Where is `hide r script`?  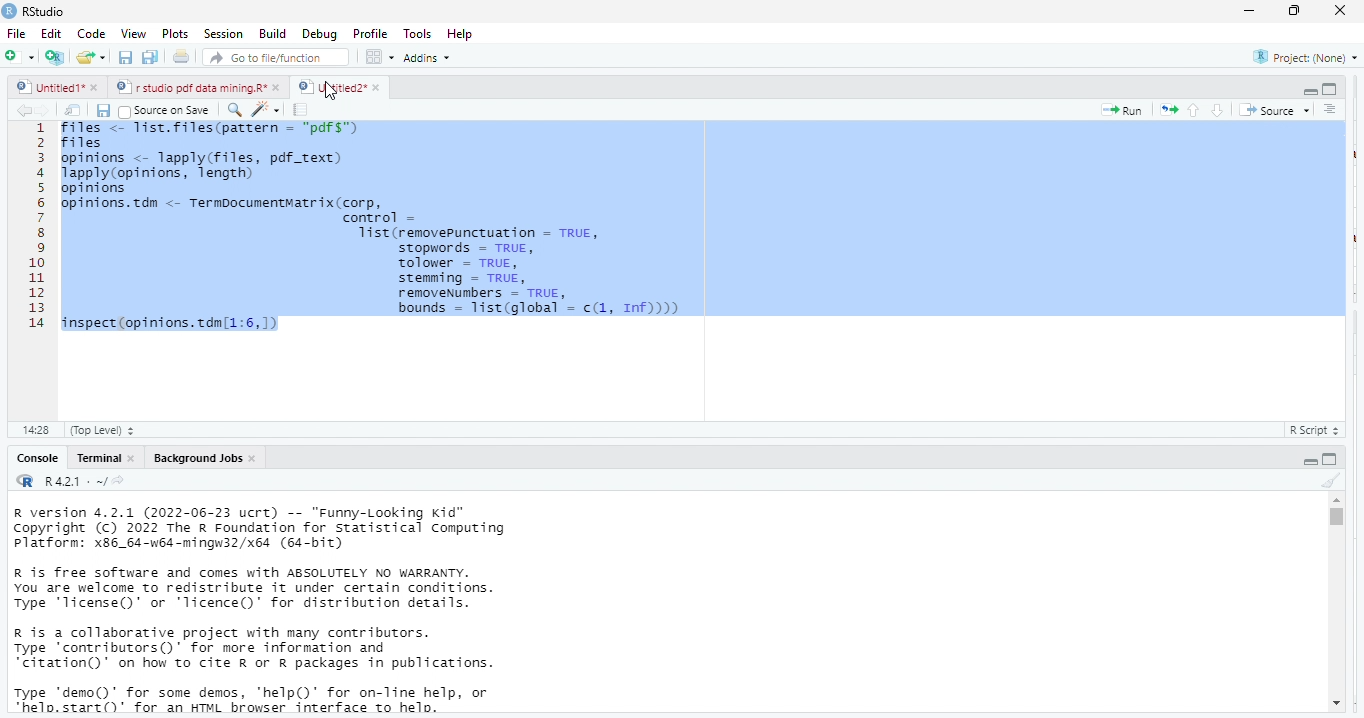 hide r script is located at coordinates (1311, 460).